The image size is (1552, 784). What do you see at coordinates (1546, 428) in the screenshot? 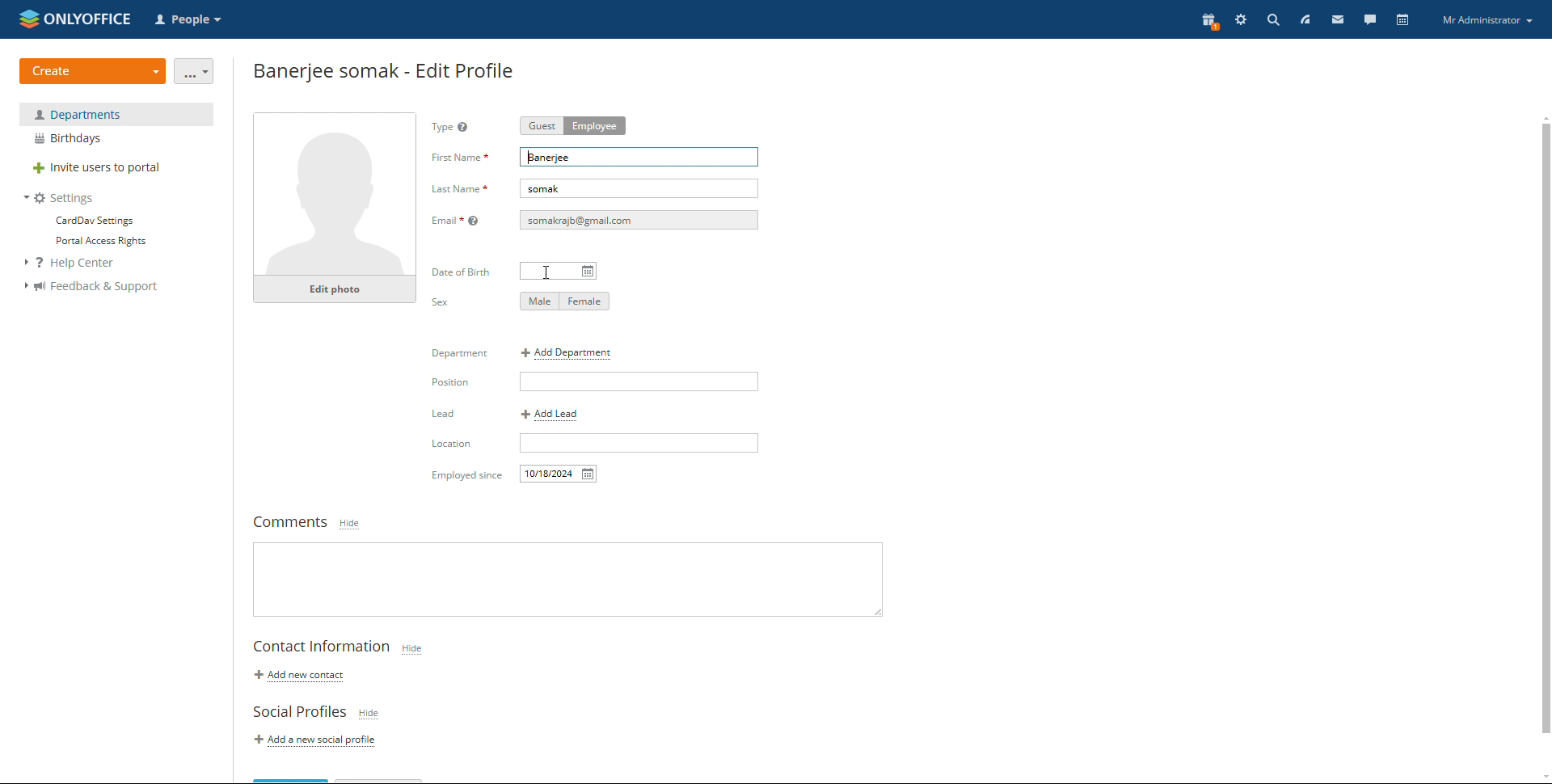
I see `scrollbar` at bounding box center [1546, 428].